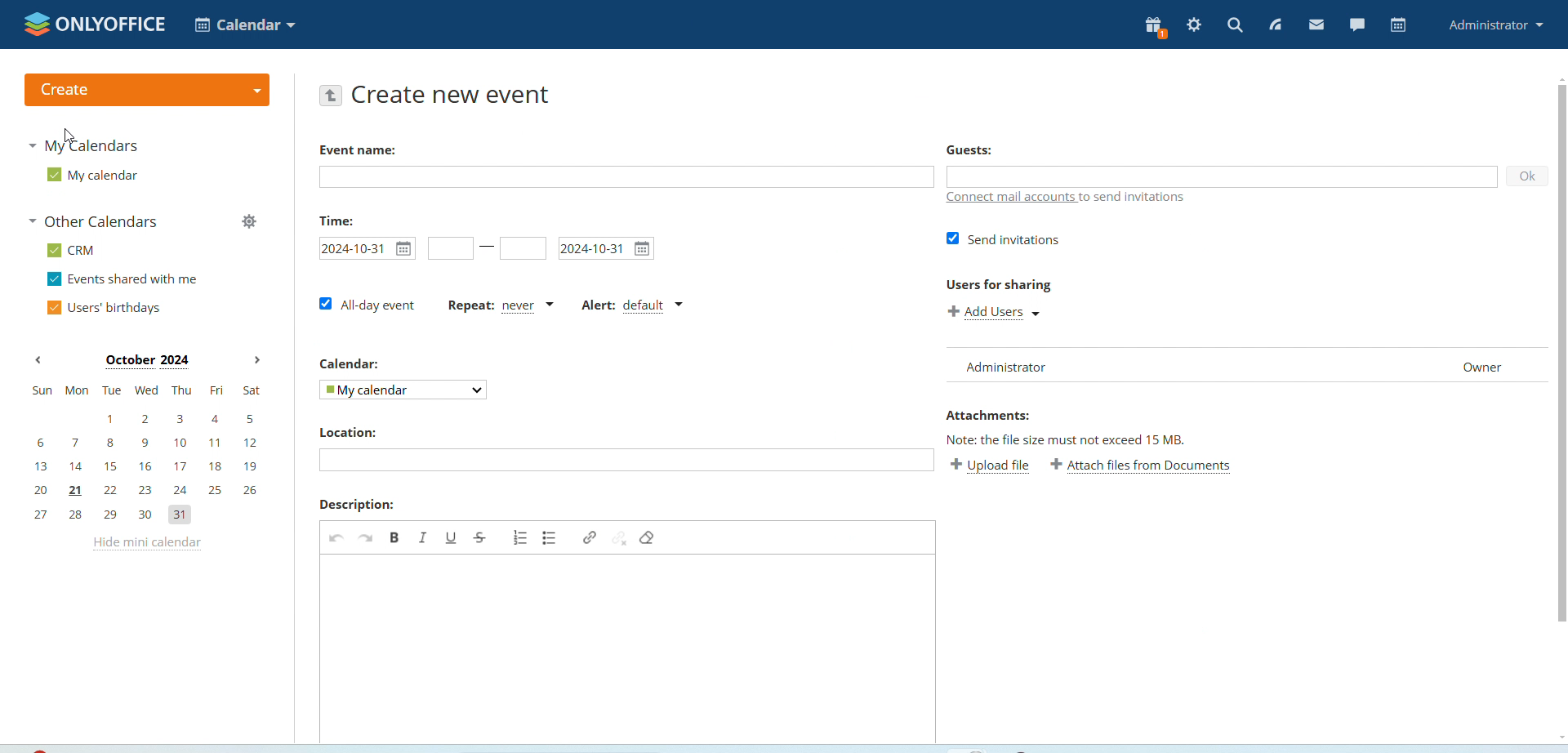  I want to click on alert type, so click(632, 306).